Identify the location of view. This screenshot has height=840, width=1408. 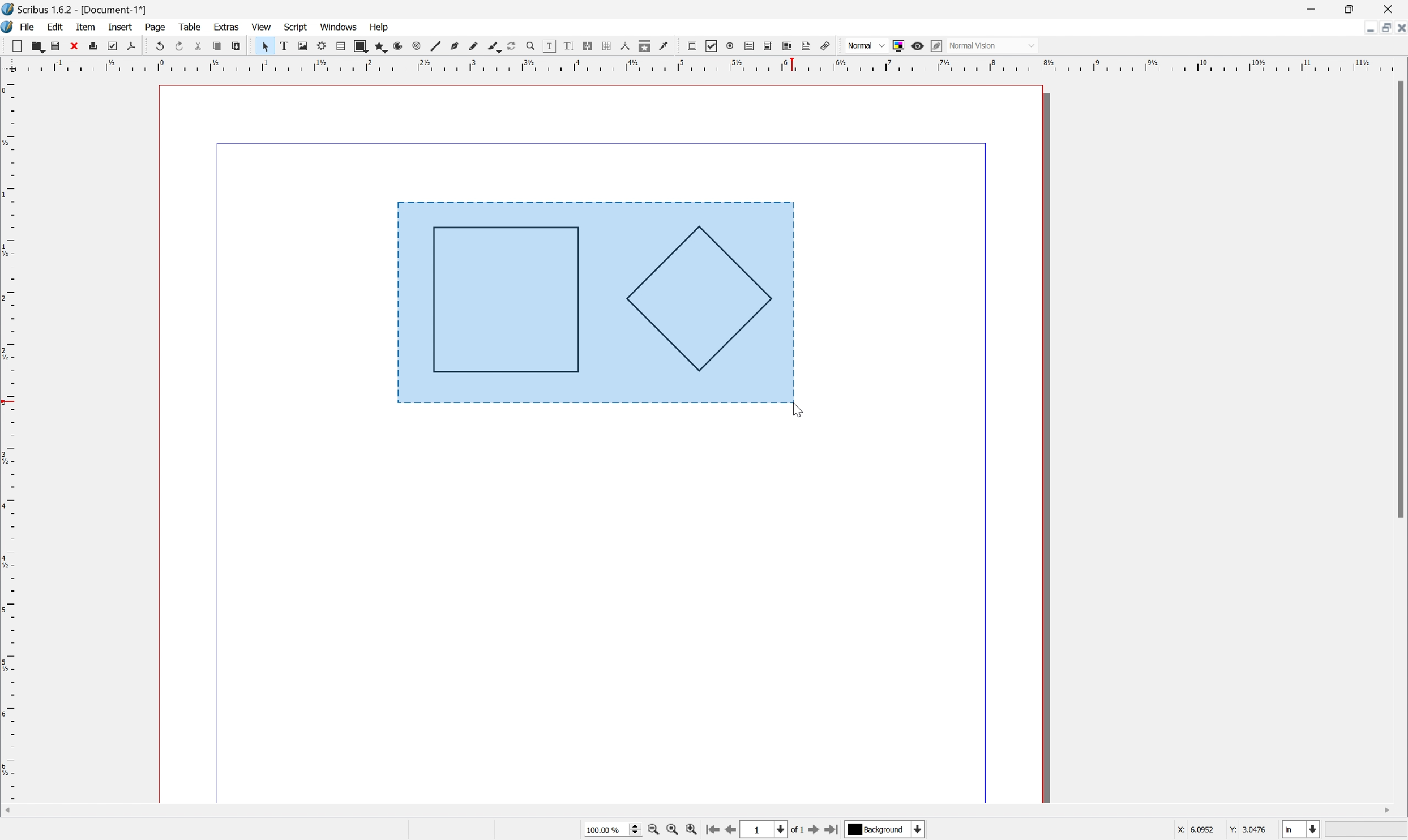
(263, 27).